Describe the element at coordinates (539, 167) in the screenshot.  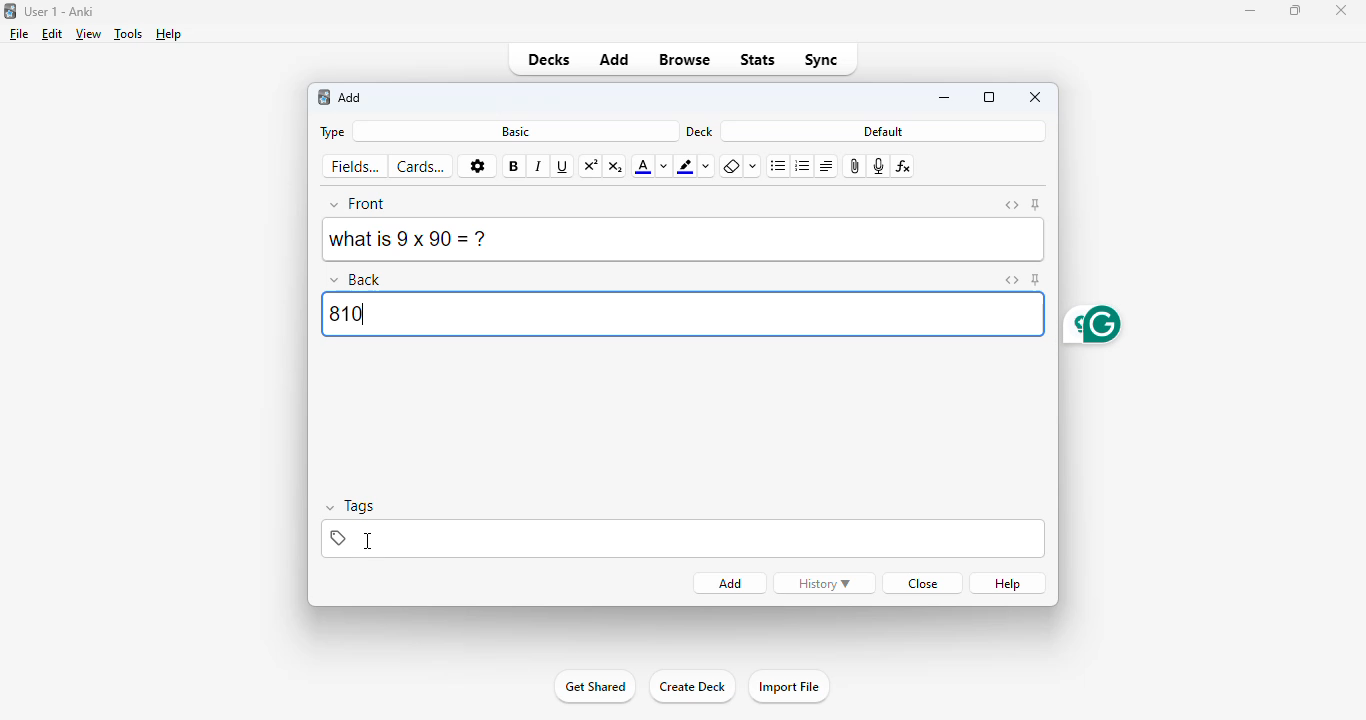
I see `italic` at that location.